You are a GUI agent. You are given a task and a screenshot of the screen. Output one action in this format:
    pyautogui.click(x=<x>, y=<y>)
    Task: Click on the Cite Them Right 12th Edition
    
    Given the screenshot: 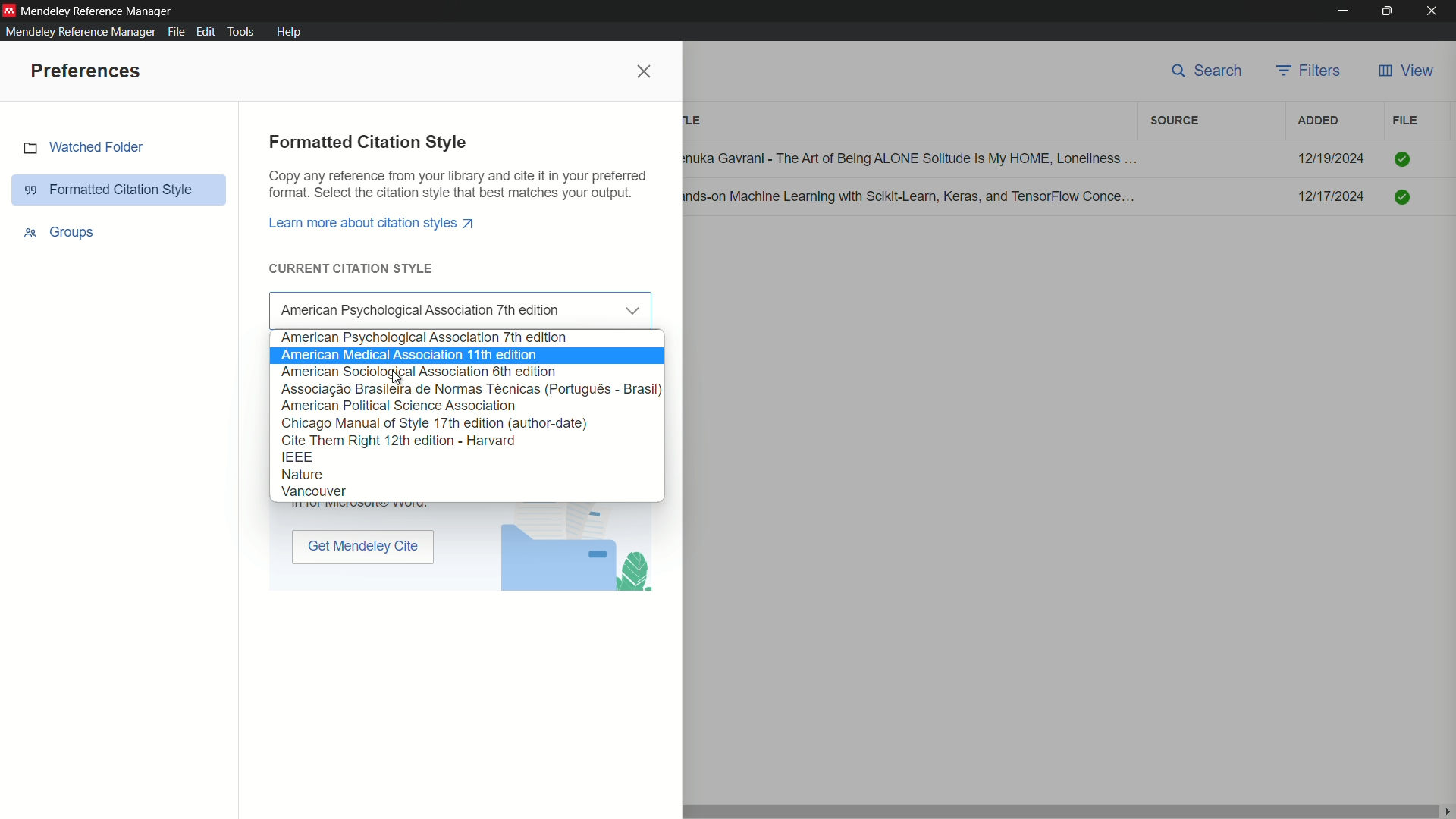 What is the action you would take?
    pyautogui.click(x=469, y=439)
    